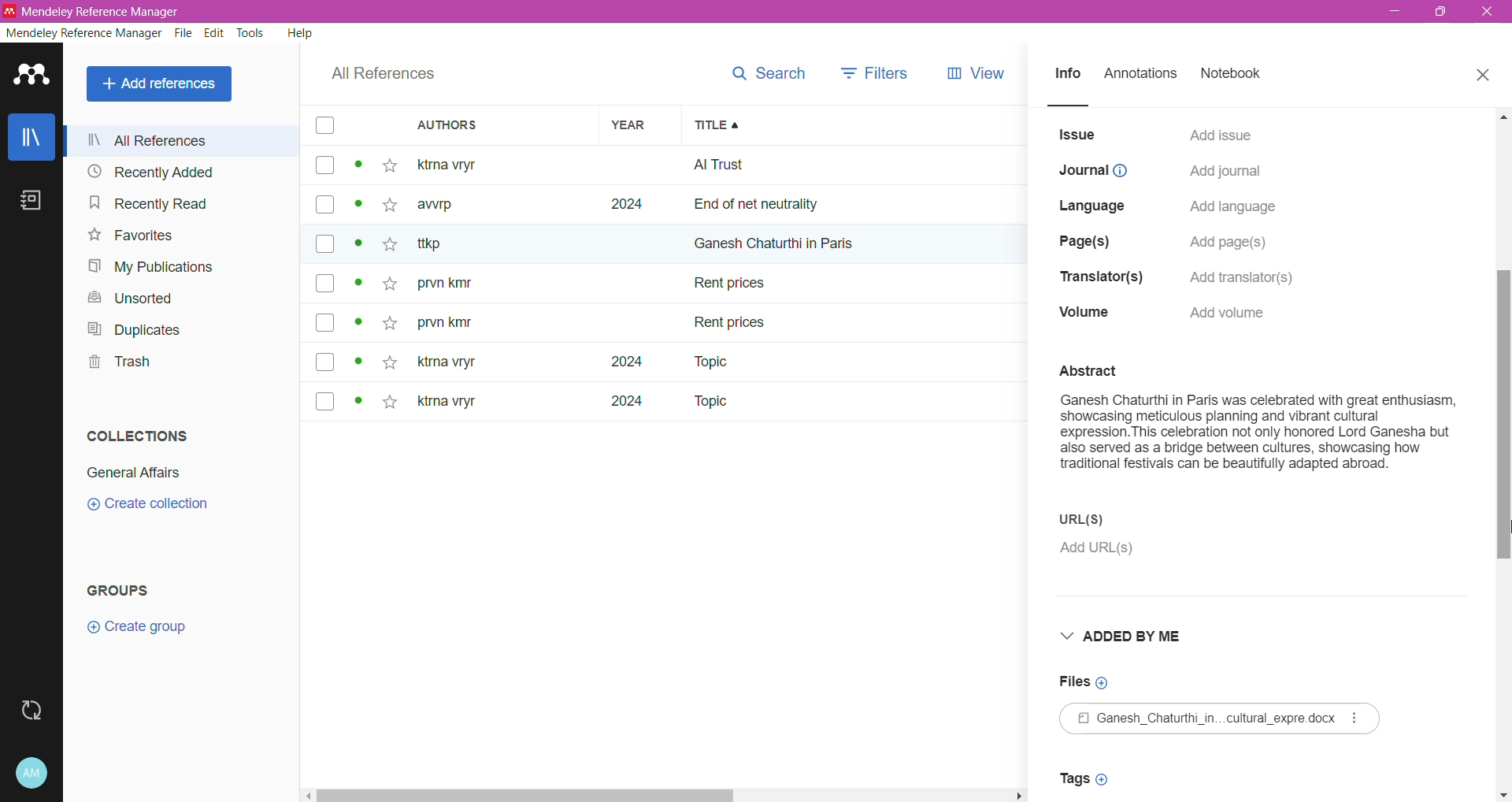 Image resolution: width=1512 pixels, height=802 pixels. I want to click on Tags, so click(1088, 778).